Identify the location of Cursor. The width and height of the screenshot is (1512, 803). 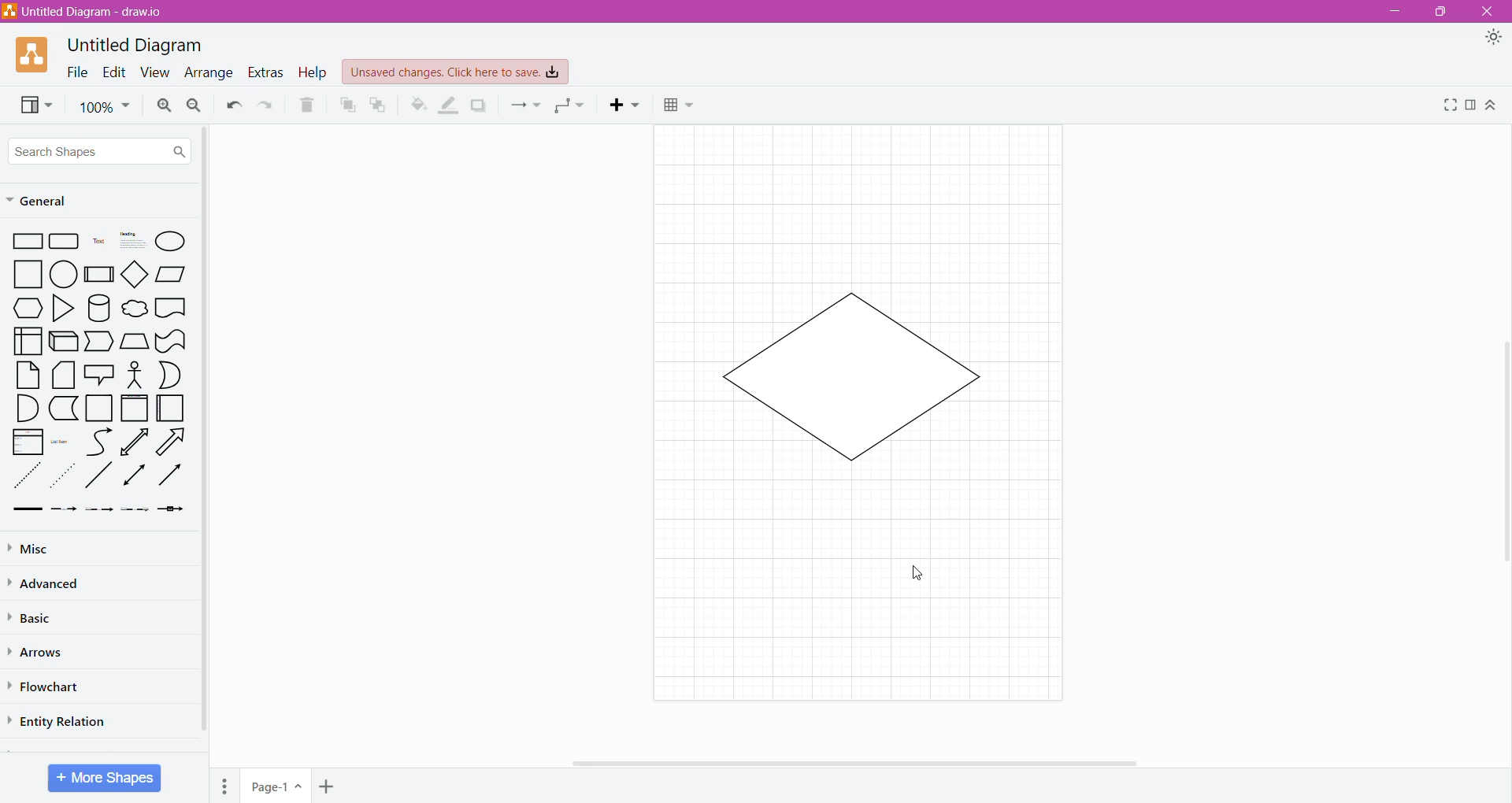
(923, 575).